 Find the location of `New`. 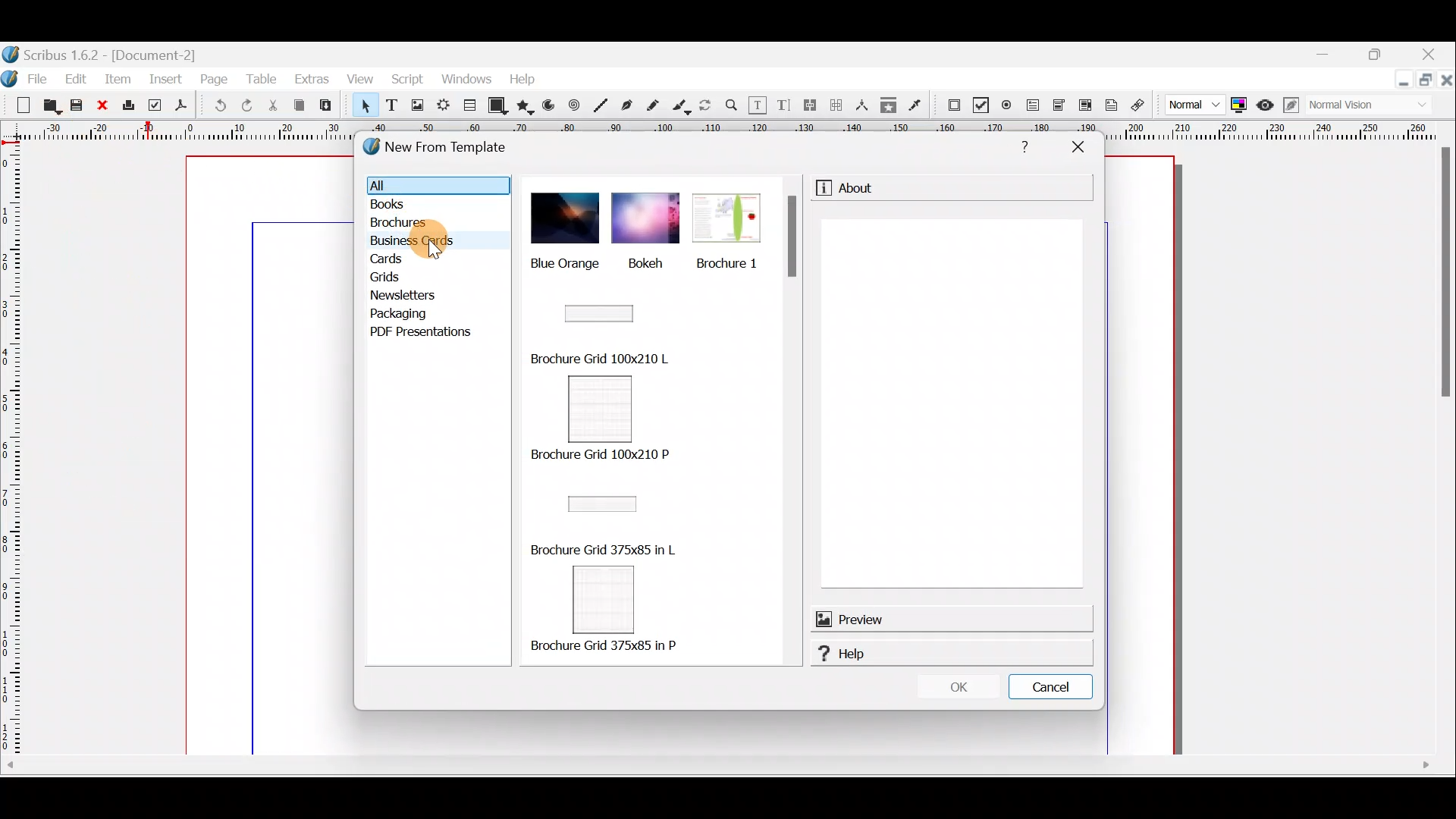

New is located at coordinates (18, 106).